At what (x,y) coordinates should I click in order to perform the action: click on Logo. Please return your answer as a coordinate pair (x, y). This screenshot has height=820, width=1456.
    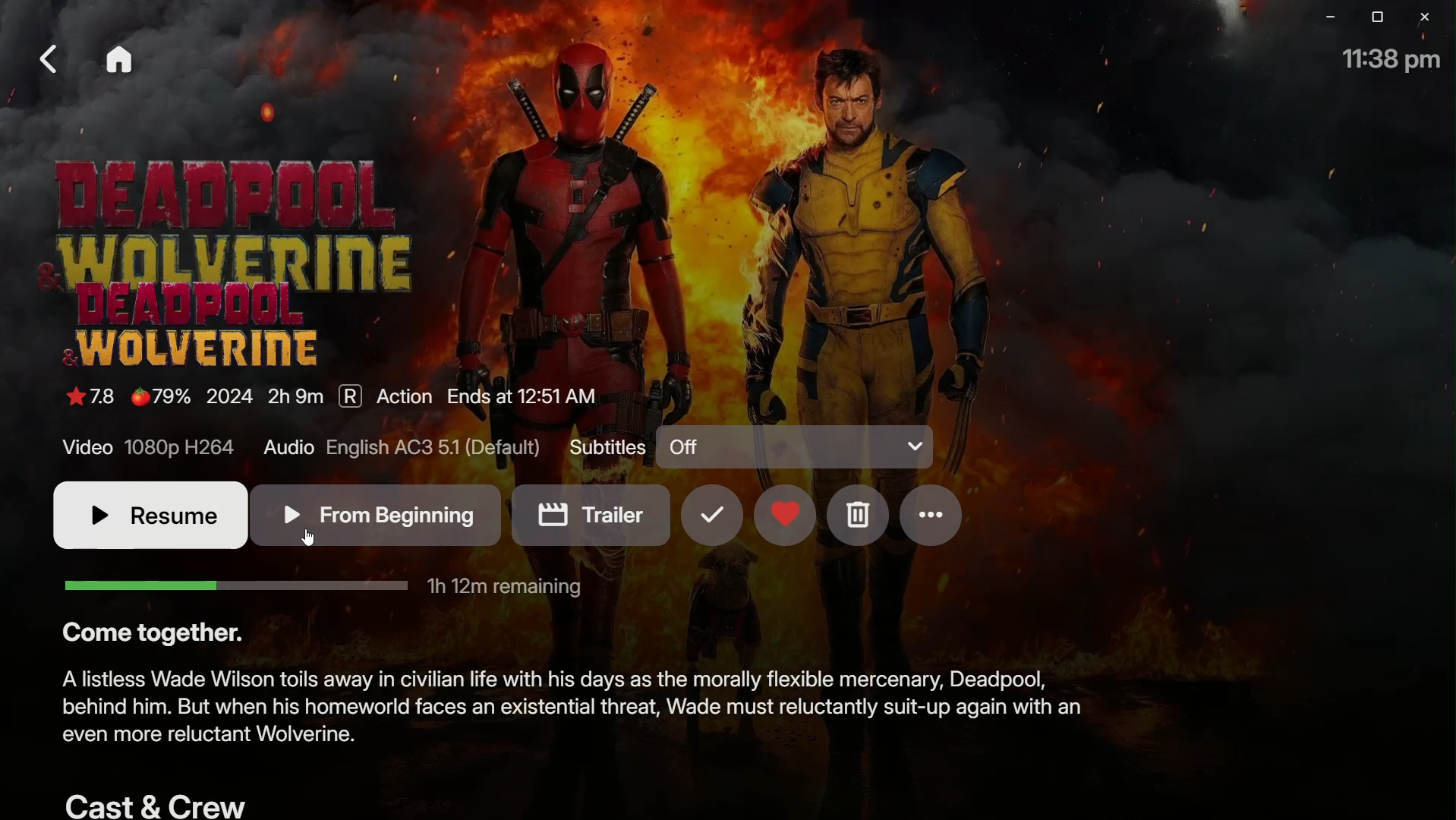
    Looking at the image, I should click on (204, 324).